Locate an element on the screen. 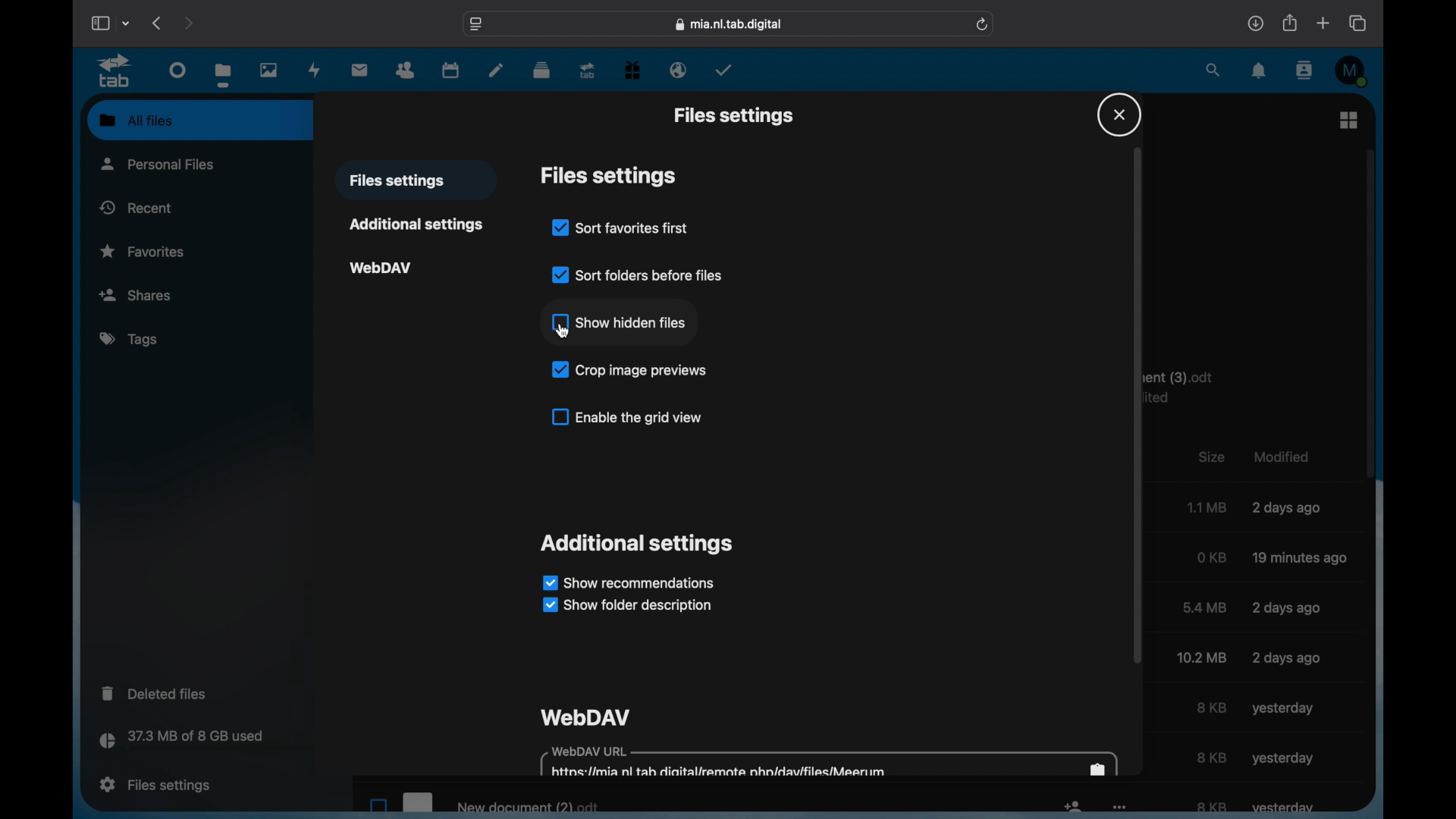 The image size is (1456, 819). tab is located at coordinates (117, 71).